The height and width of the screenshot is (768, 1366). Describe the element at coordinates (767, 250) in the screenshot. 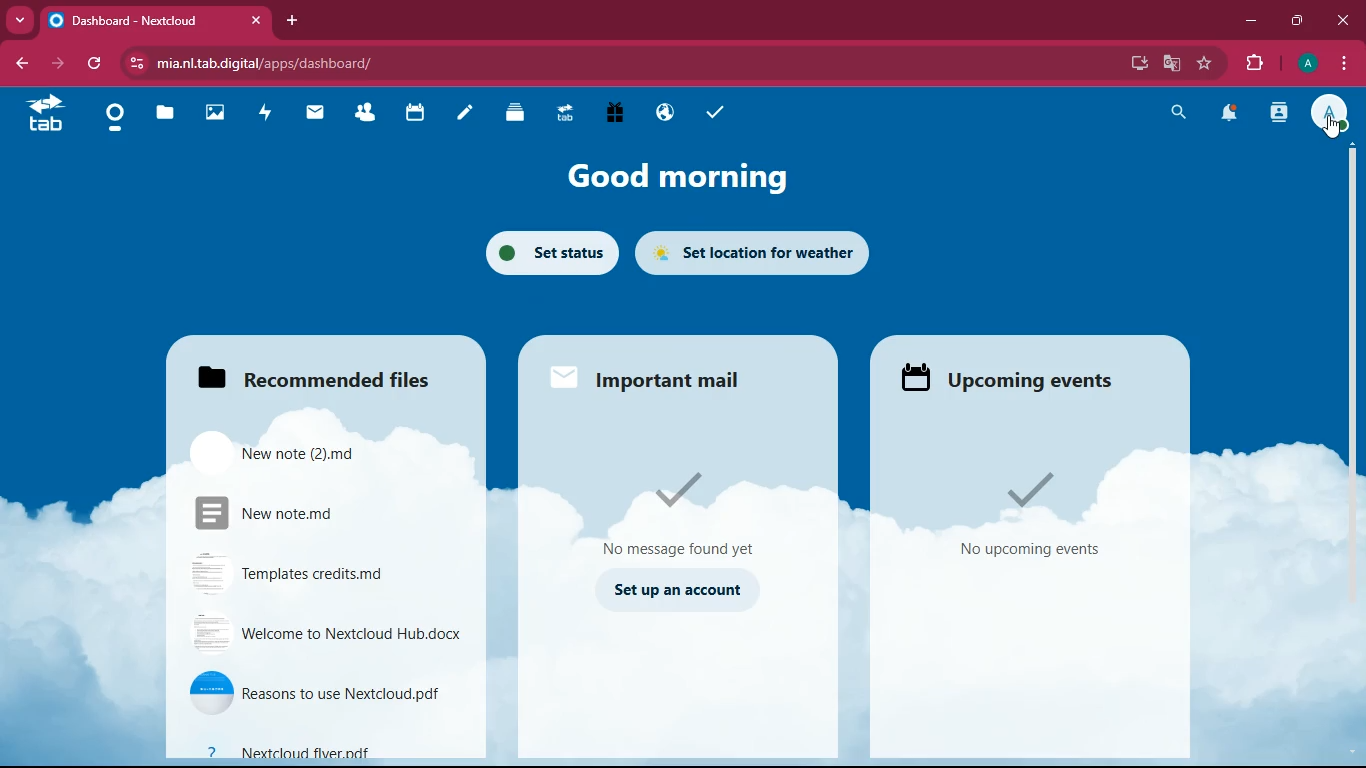

I see `set location` at that location.